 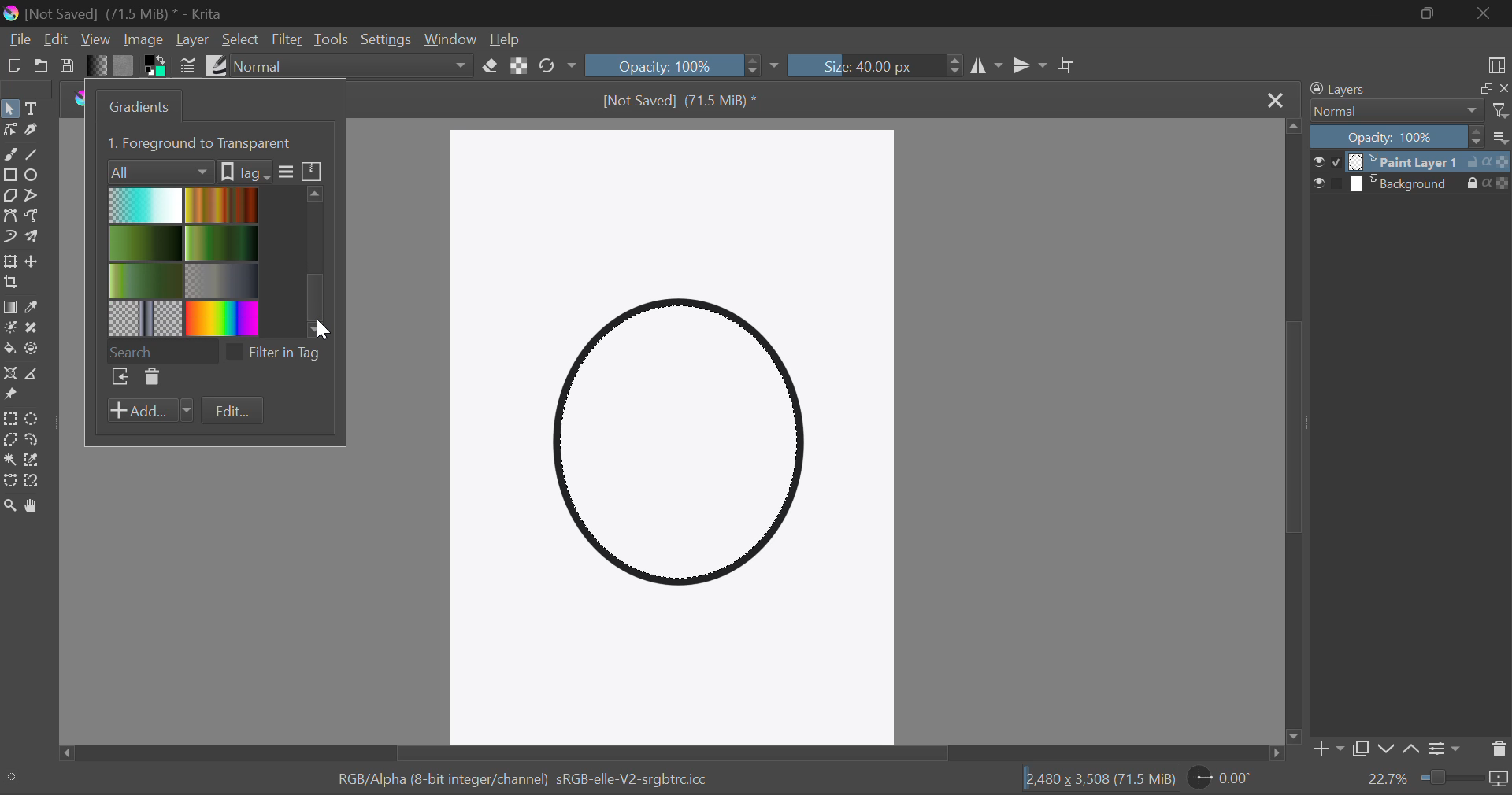 What do you see at coordinates (10, 308) in the screenshot?
I see `Gradient Fill` at bounding box center [10, 308].